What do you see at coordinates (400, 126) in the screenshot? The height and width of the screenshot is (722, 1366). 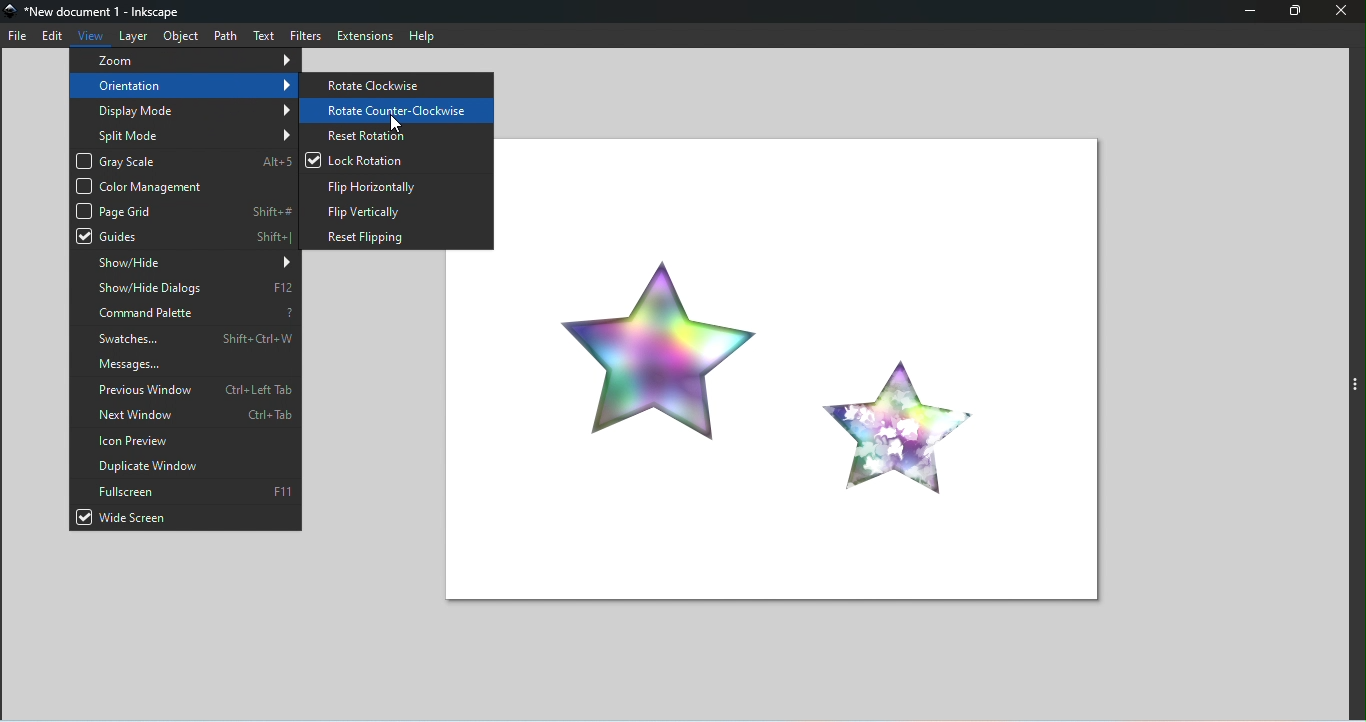 I see `Cursor` at bounding box center [400, 126].